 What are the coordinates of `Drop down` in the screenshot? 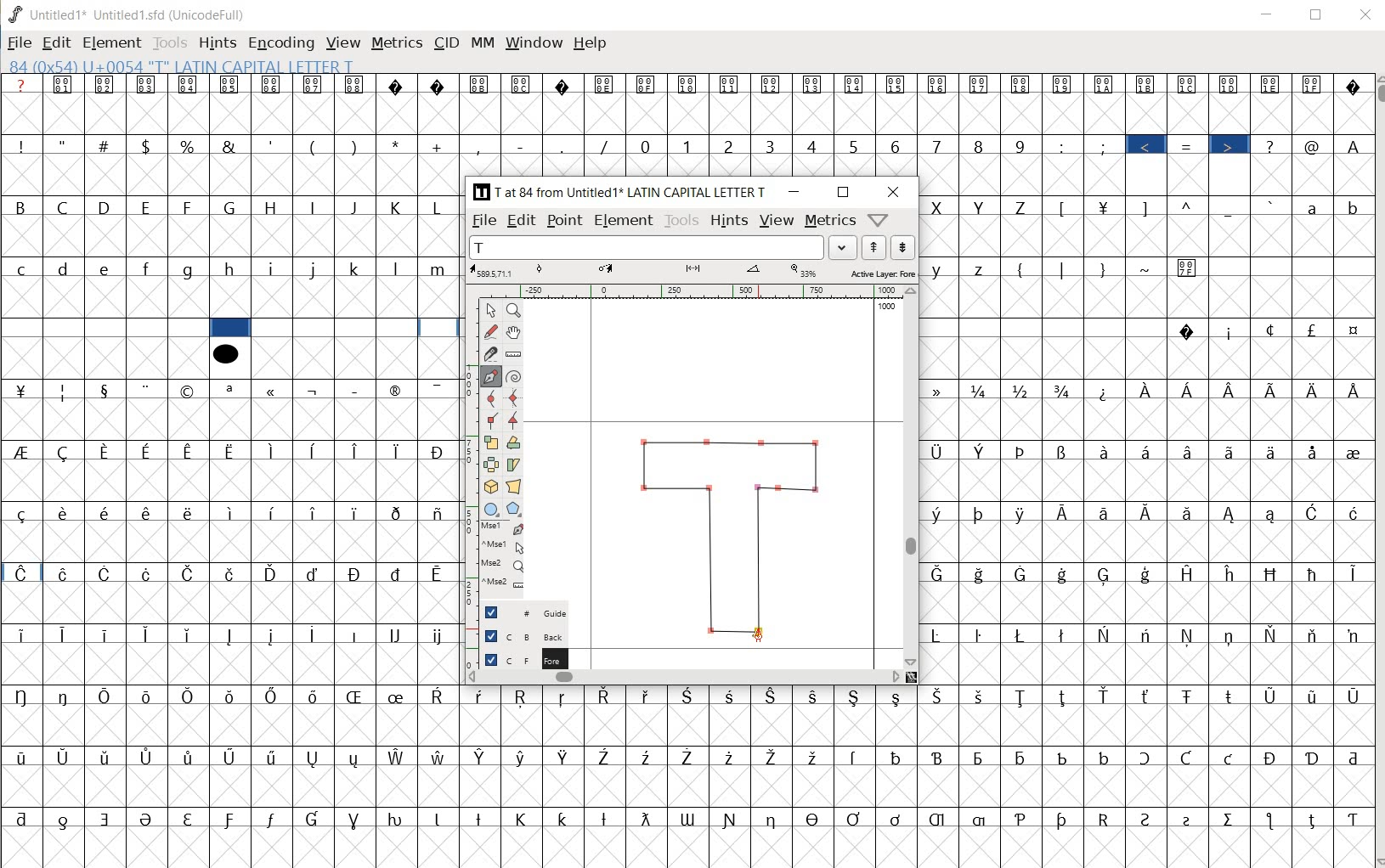 It's located at (843, 247).